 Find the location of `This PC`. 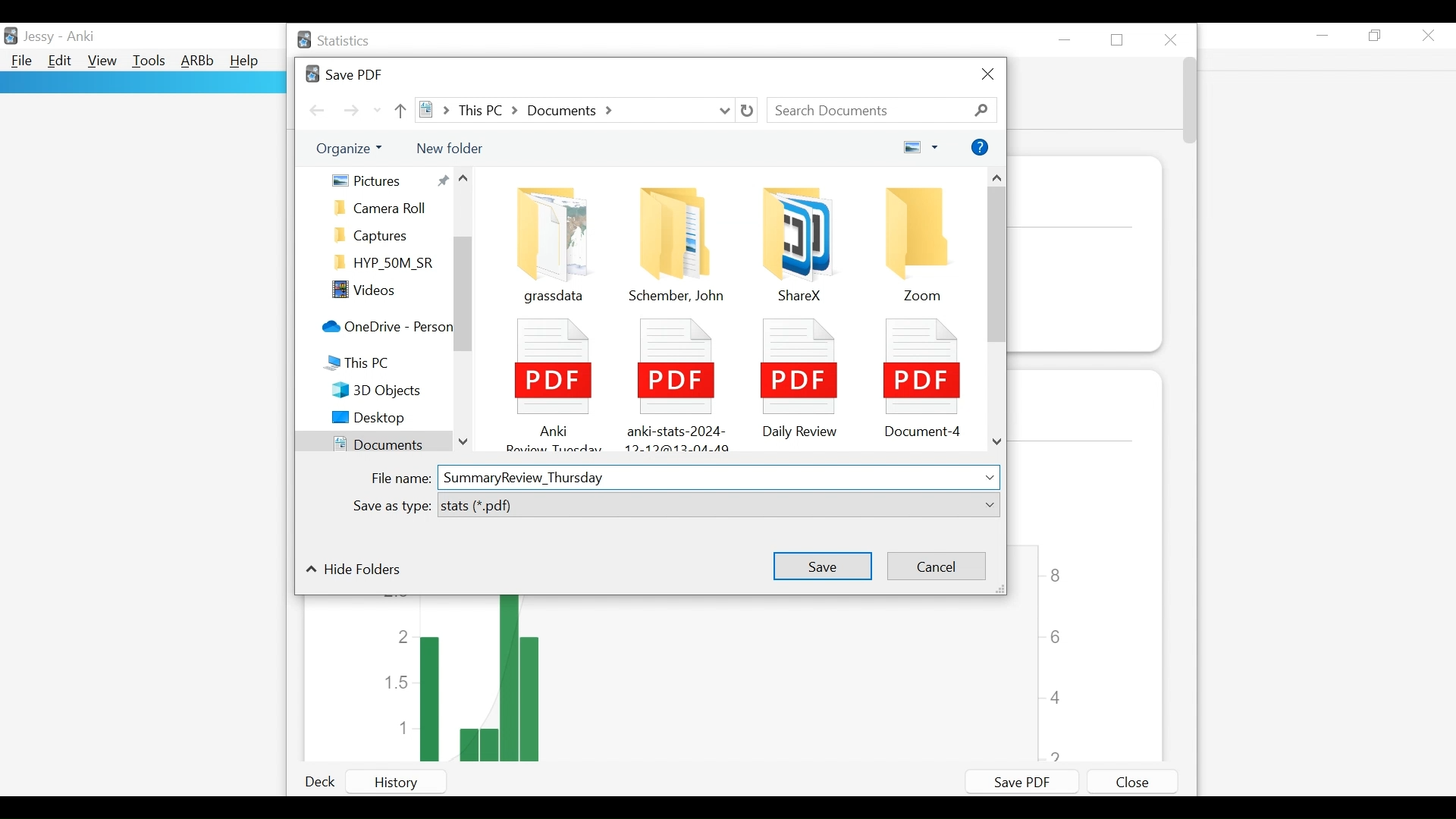

This PC is located at coordinates (374, 365).